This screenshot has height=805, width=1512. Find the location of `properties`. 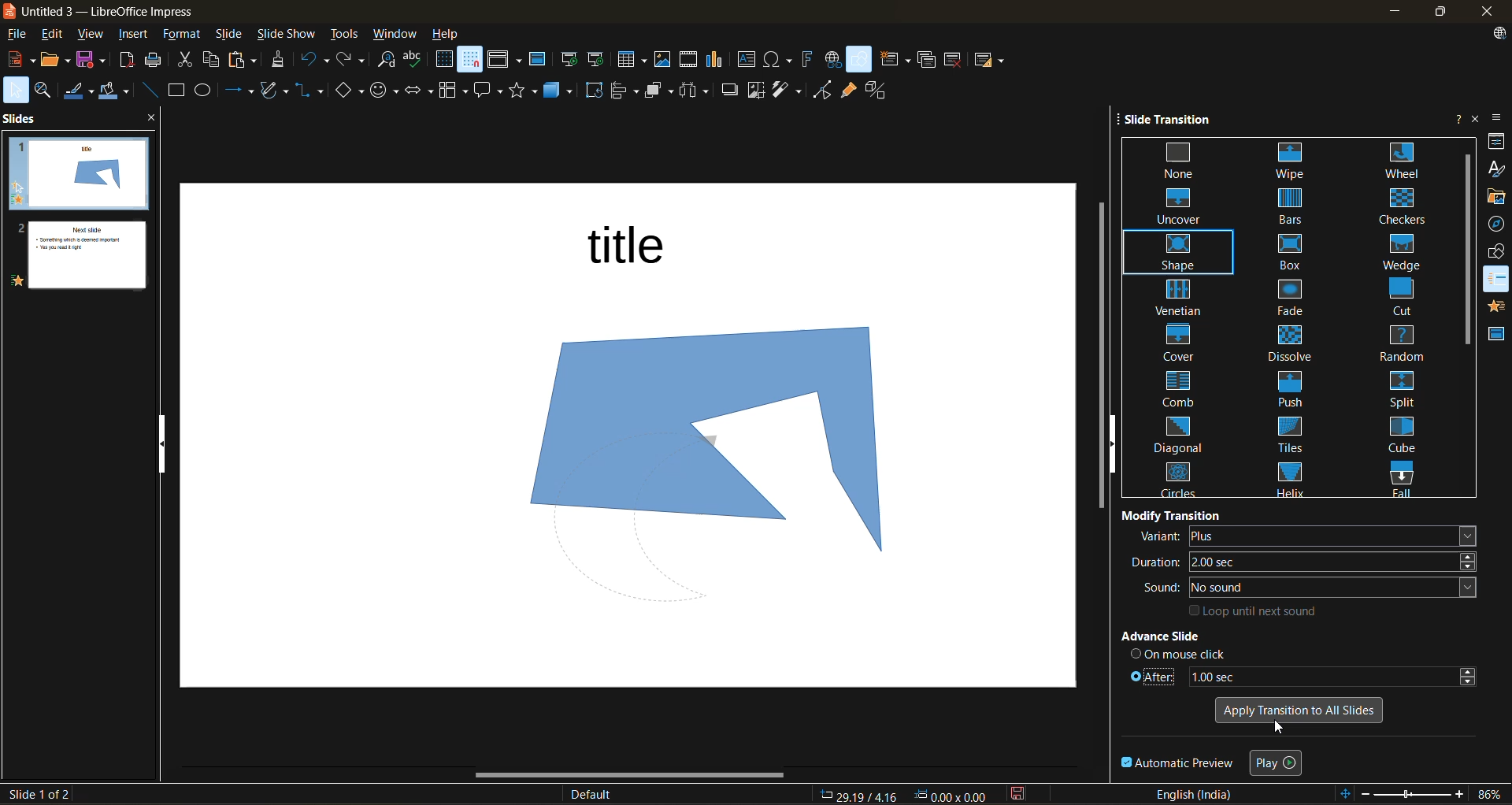

properties is located at coordinates (1496, 144).